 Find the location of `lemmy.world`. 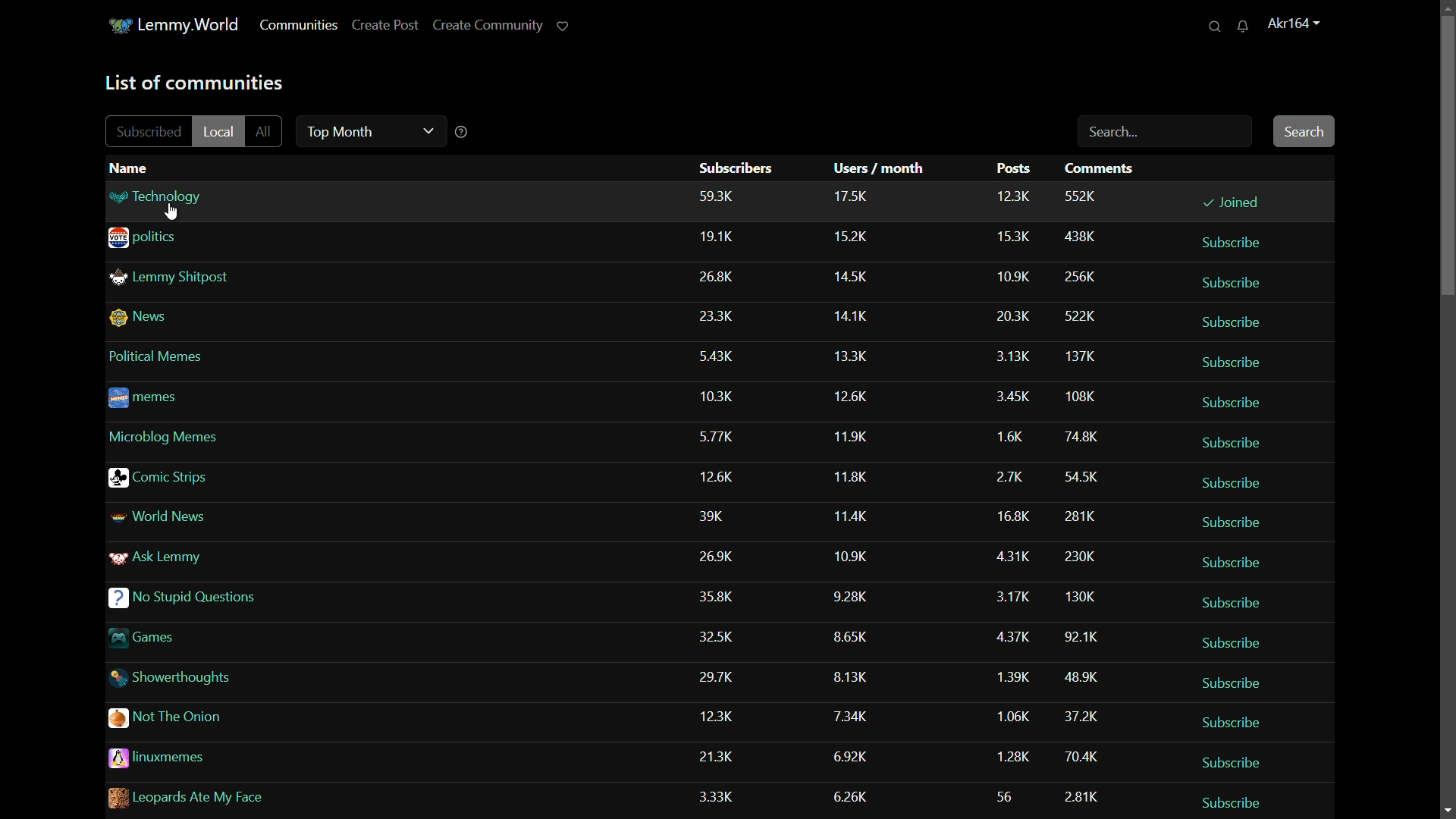

lemmy.world is located at coordinates (192, 25).